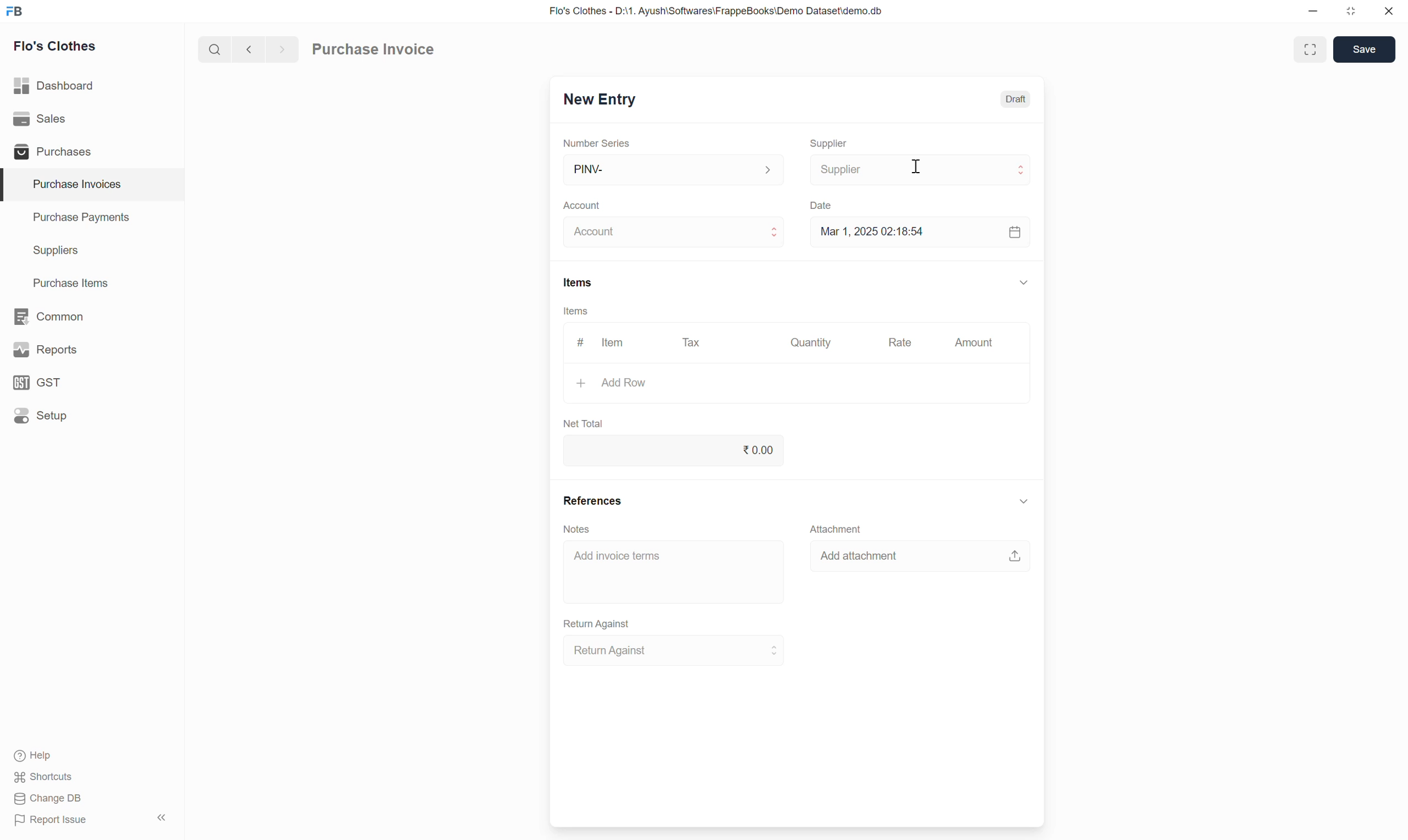 The image size is (1408, 840). Describe the element at coordinates (673, 170) in the screenshot. I see `PINV-` at that location.